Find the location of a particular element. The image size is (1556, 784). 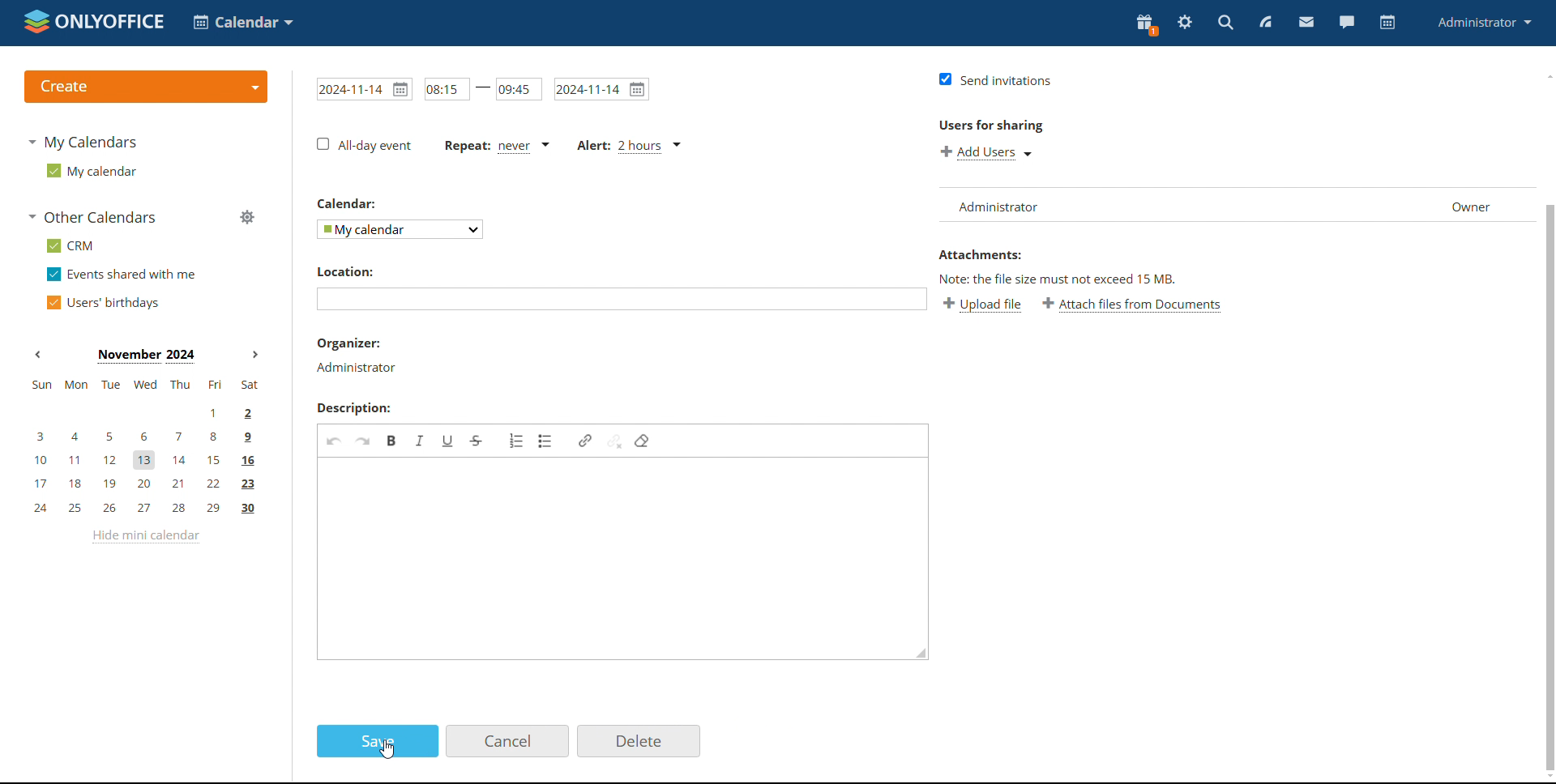

note about file size exceeding  is located at coordinates (1062, 279).